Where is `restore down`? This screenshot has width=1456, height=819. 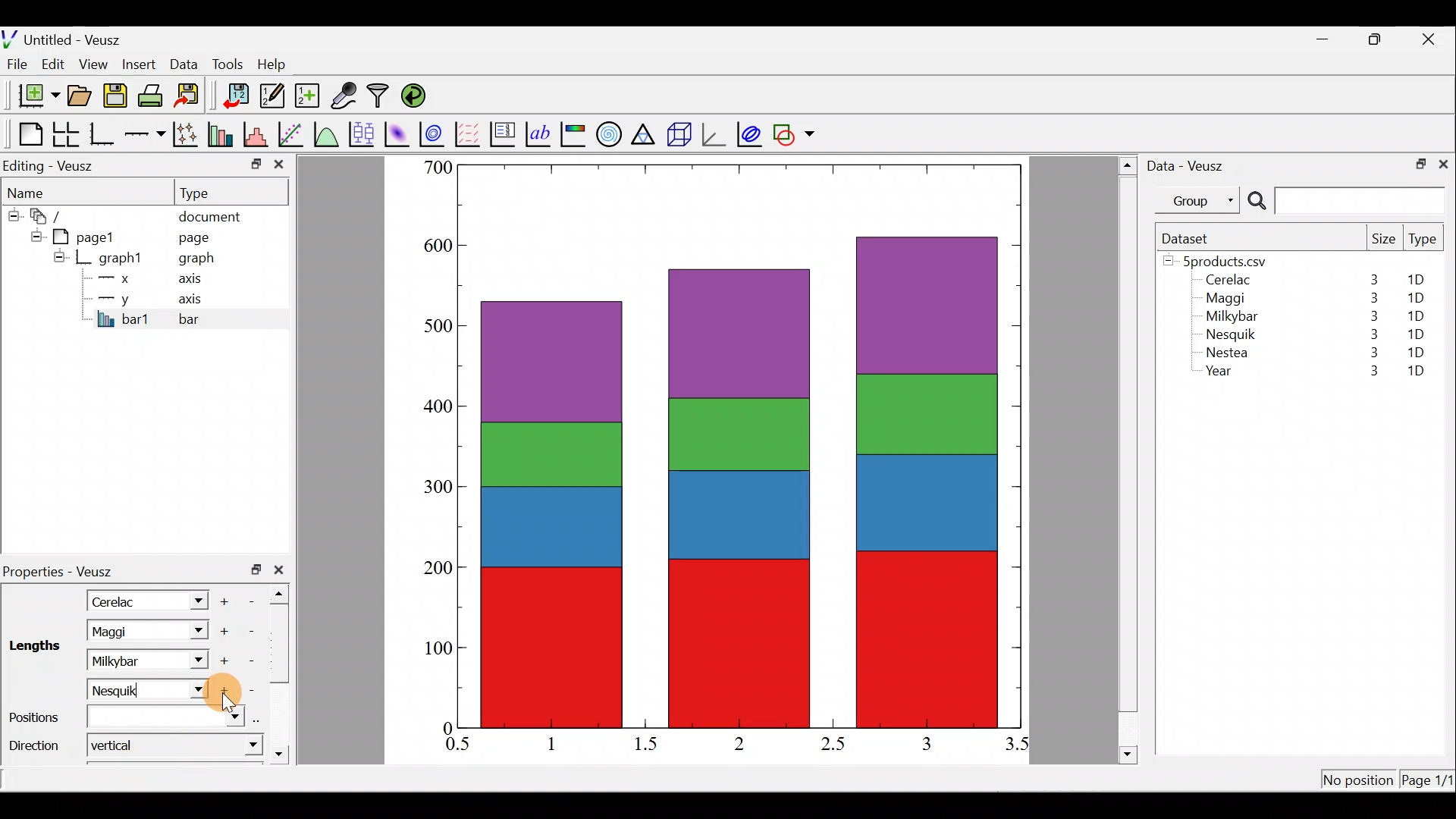
restore down is located at coordinates (256, 570).